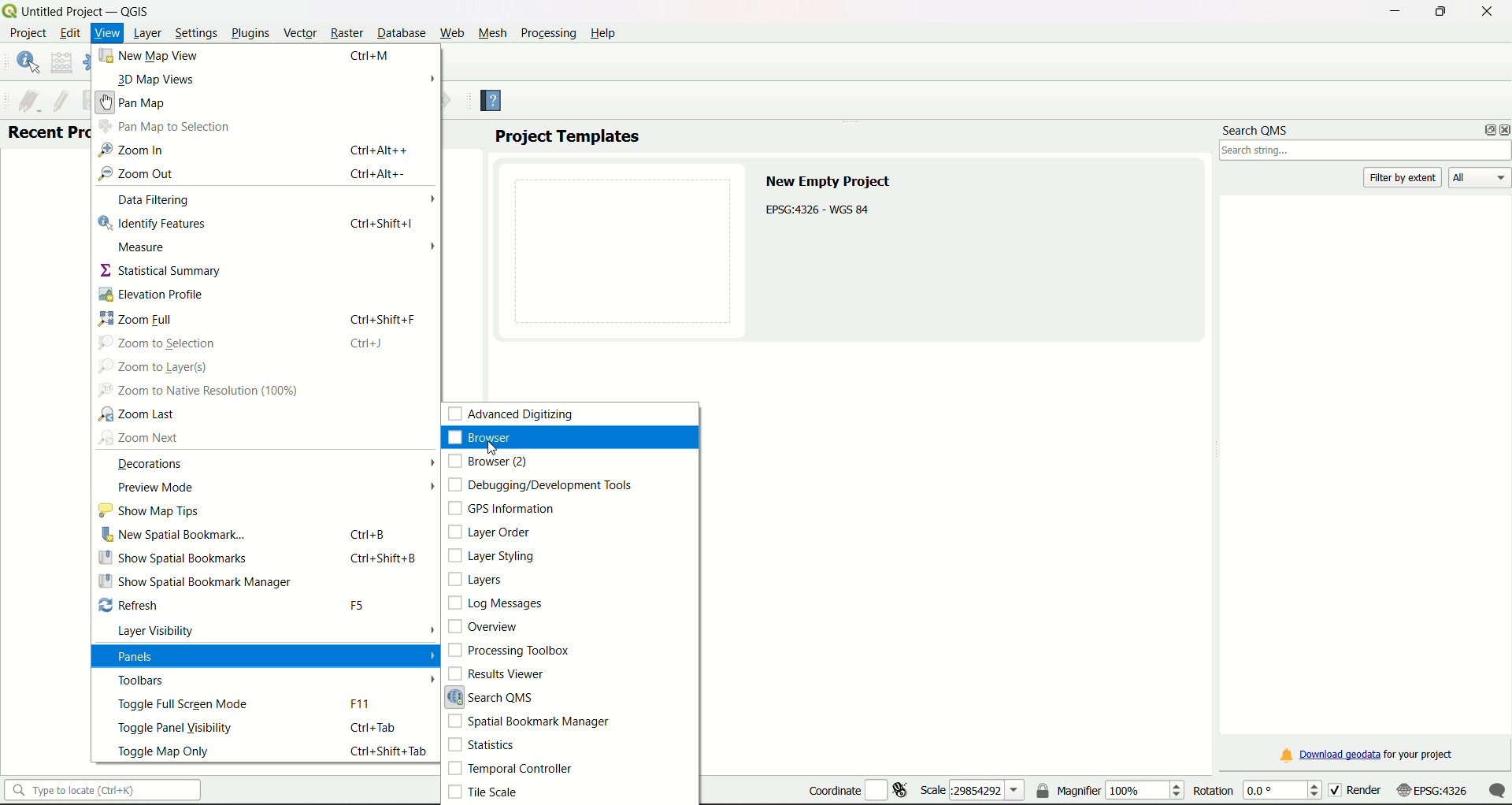 This screenshot has width=1512, height=805. What do you see at coordinates (972, 791) in the screenshot?
I see `scale` at bounding box center [972, 791].